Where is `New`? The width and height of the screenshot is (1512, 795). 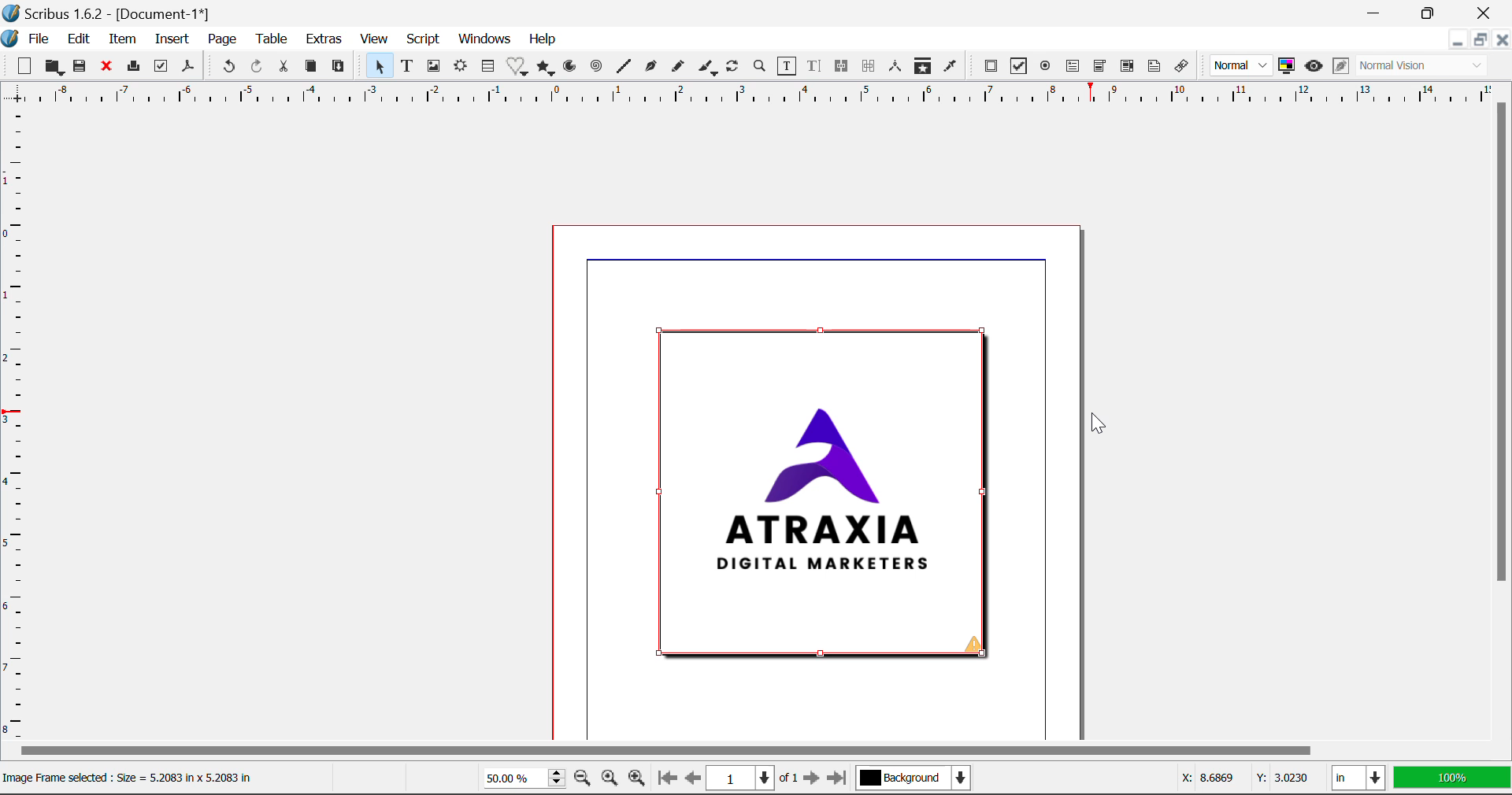 New is located at coordinates (23, 67).